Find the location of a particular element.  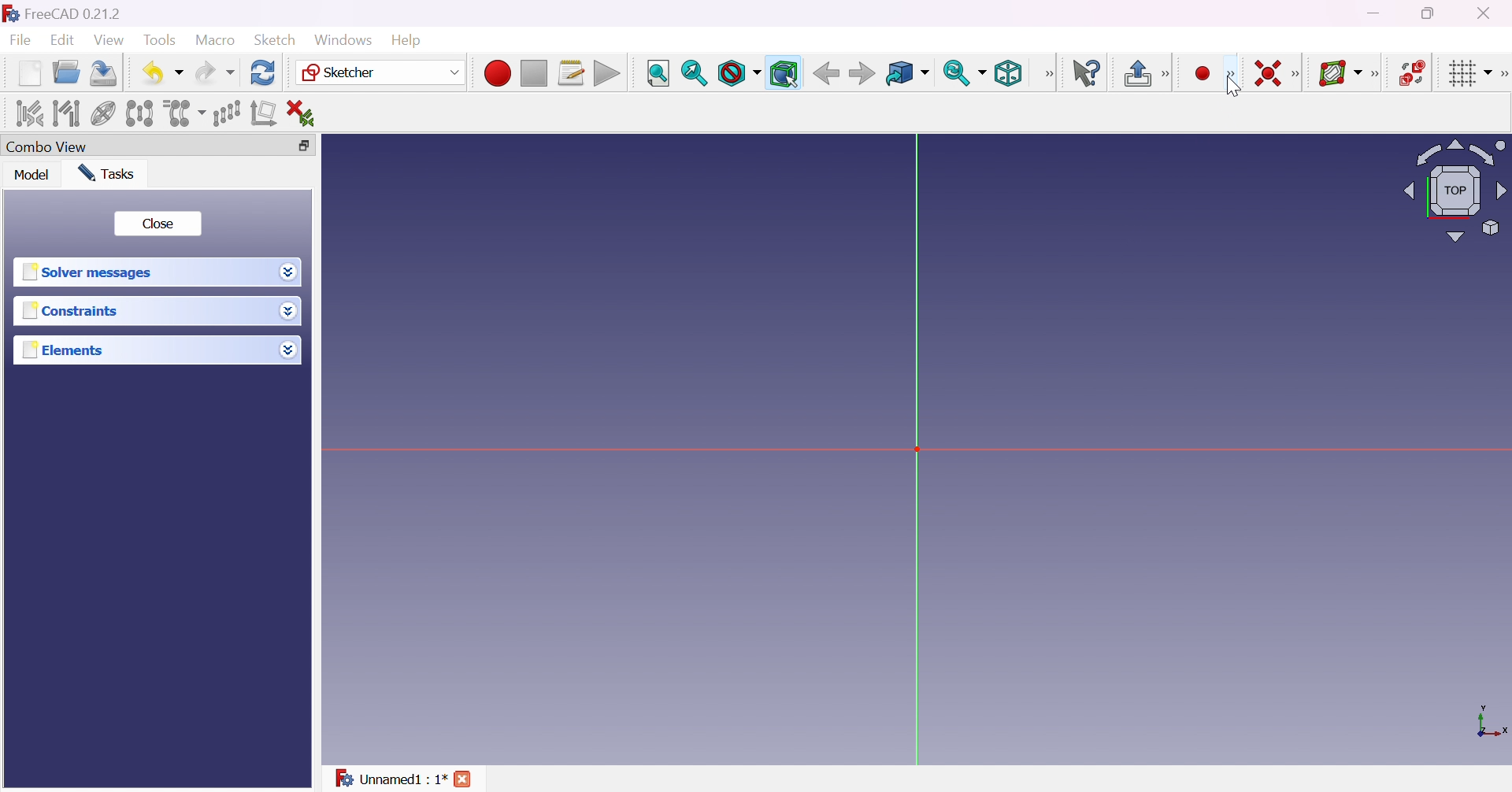

View is located at coordinates (110, 41).